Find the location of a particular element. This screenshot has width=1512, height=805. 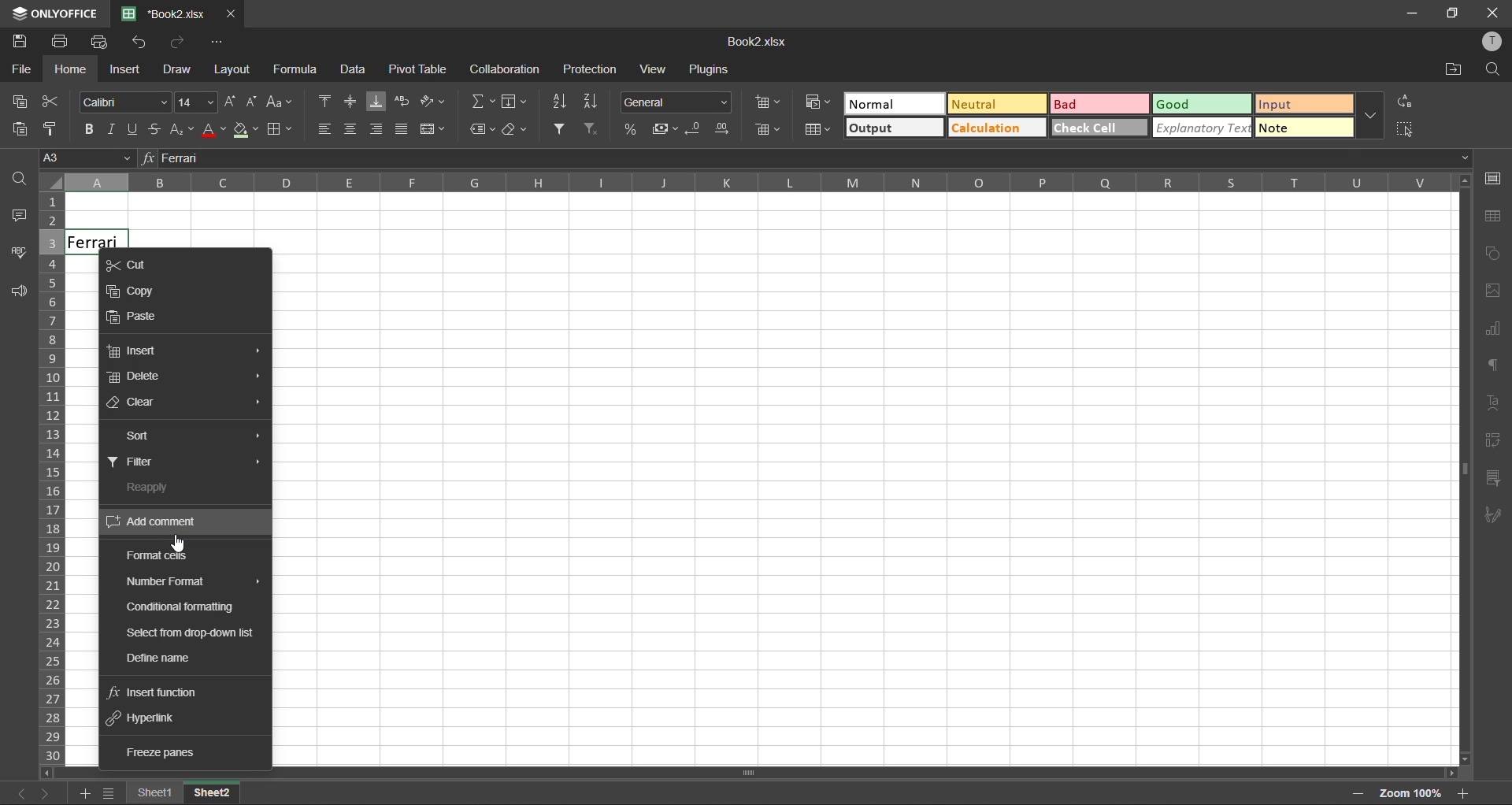

wrap text is located at coordinates (402, 99).